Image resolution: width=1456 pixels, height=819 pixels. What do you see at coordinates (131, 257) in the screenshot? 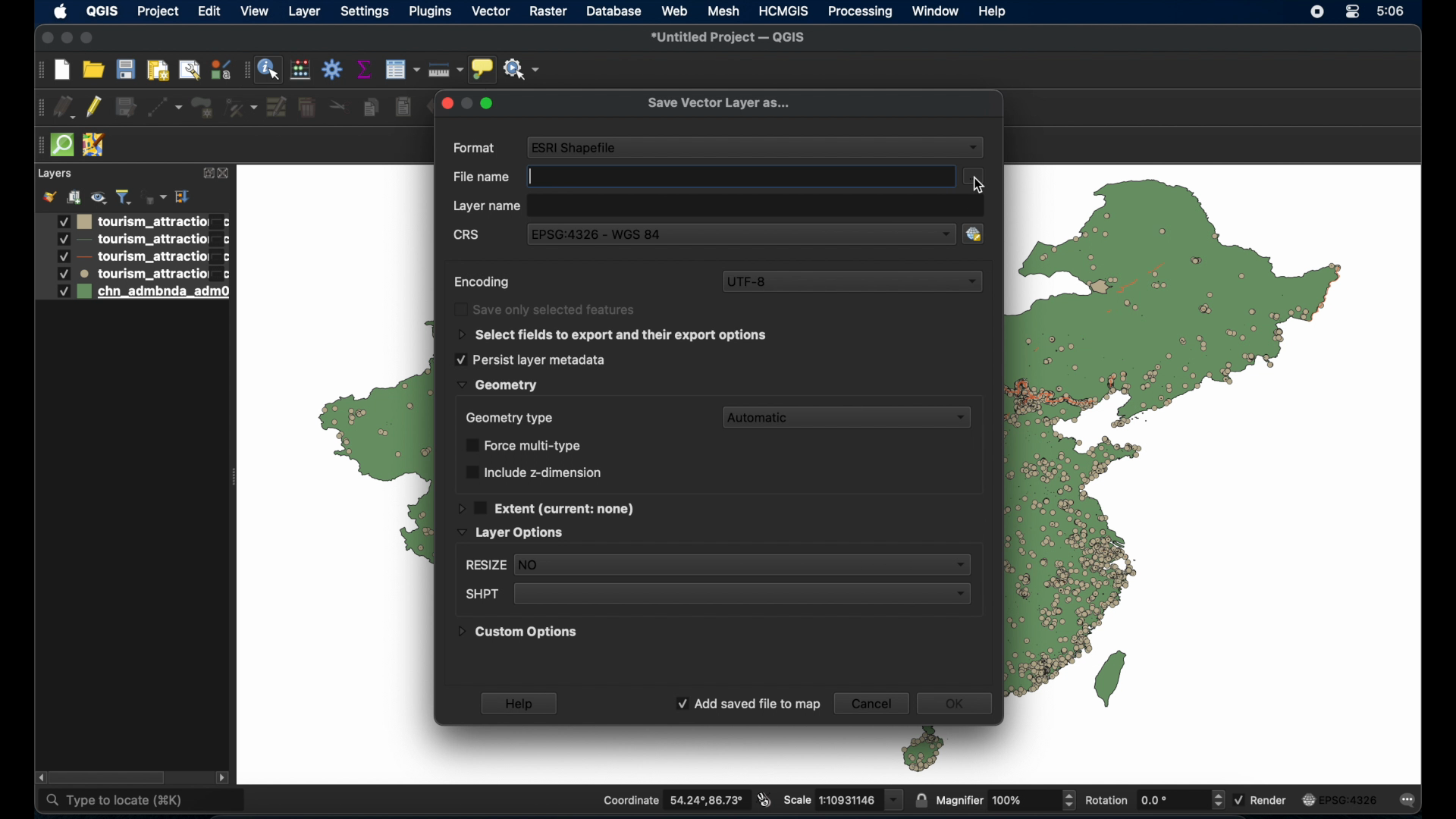
I see `layer 3` at bounding box center [131, 257].